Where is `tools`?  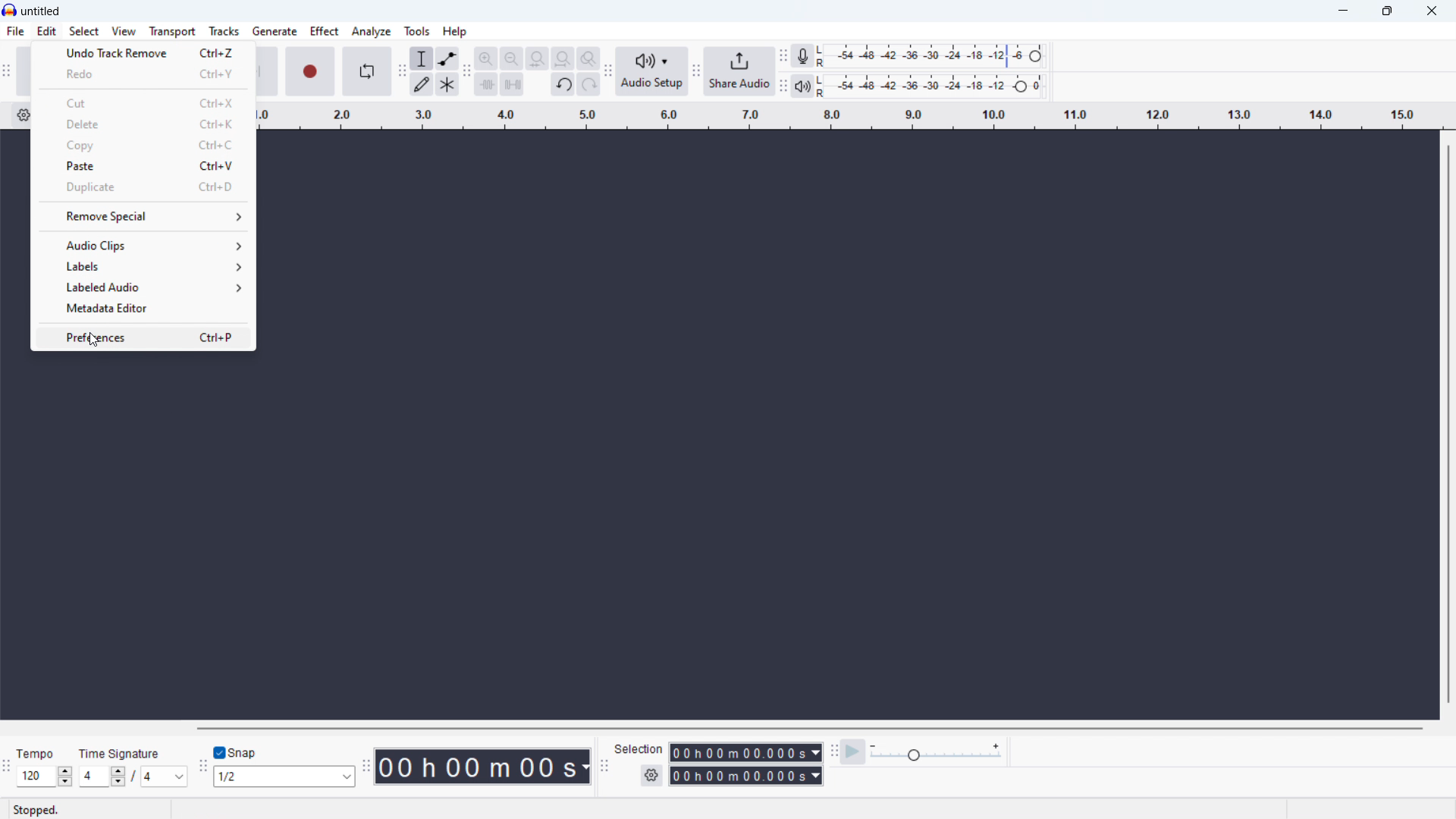
tools is located at coordinates (417, 31).